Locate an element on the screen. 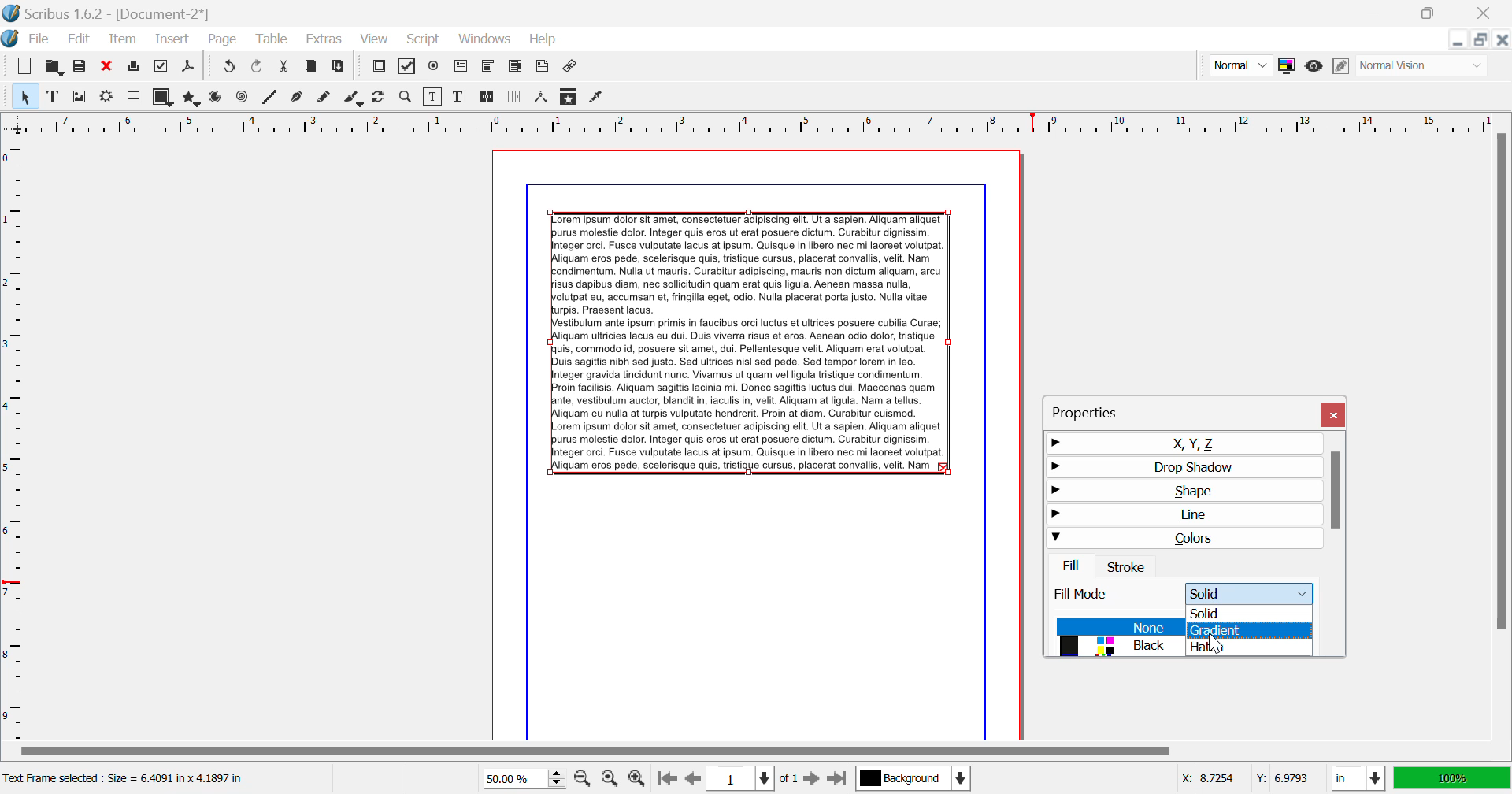  Next Page is located at coordinates (811, 777).